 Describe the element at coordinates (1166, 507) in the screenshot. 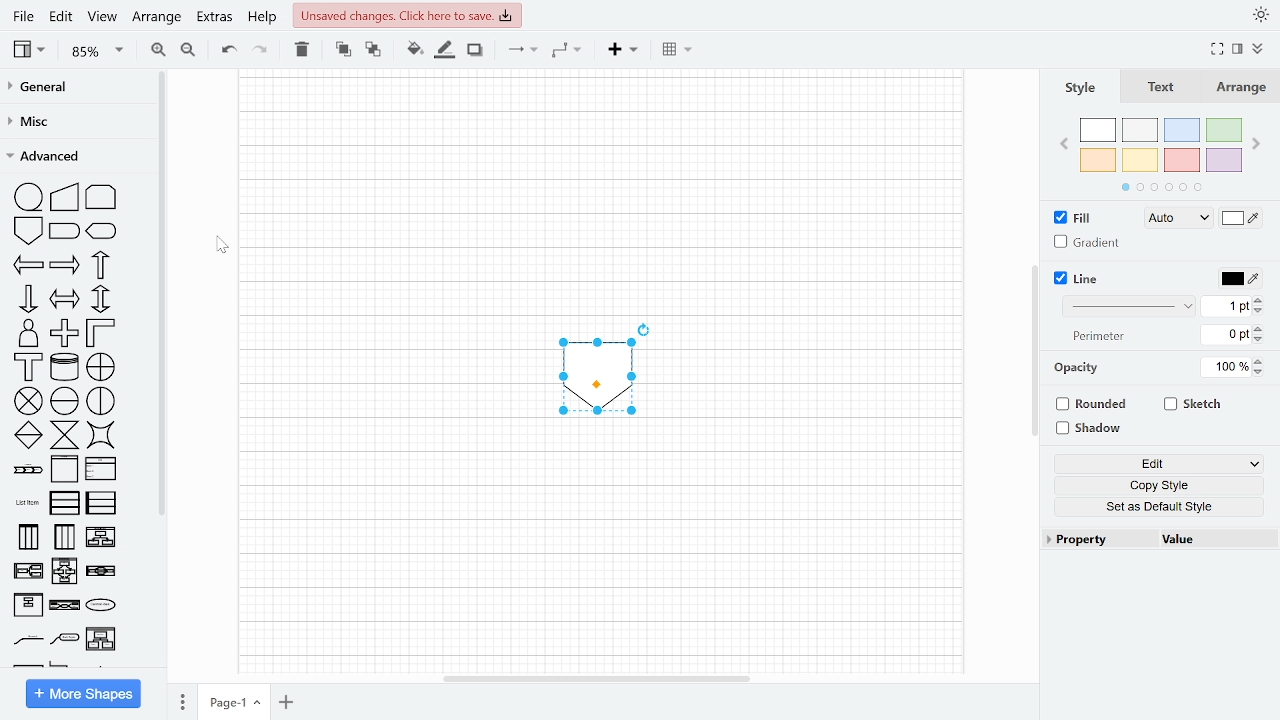

I see `Set as default style` at that location.